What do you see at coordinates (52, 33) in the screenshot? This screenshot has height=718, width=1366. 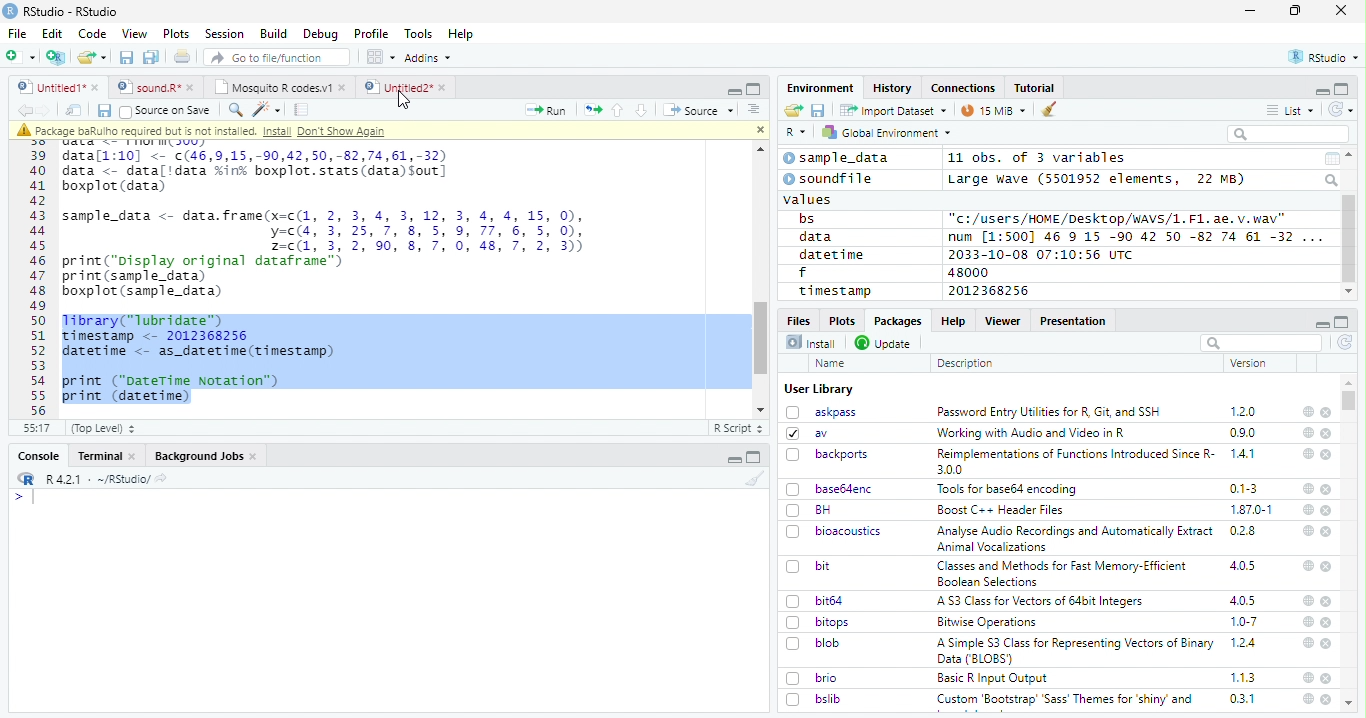 I see `Edit` at bounding box center [52, 33].